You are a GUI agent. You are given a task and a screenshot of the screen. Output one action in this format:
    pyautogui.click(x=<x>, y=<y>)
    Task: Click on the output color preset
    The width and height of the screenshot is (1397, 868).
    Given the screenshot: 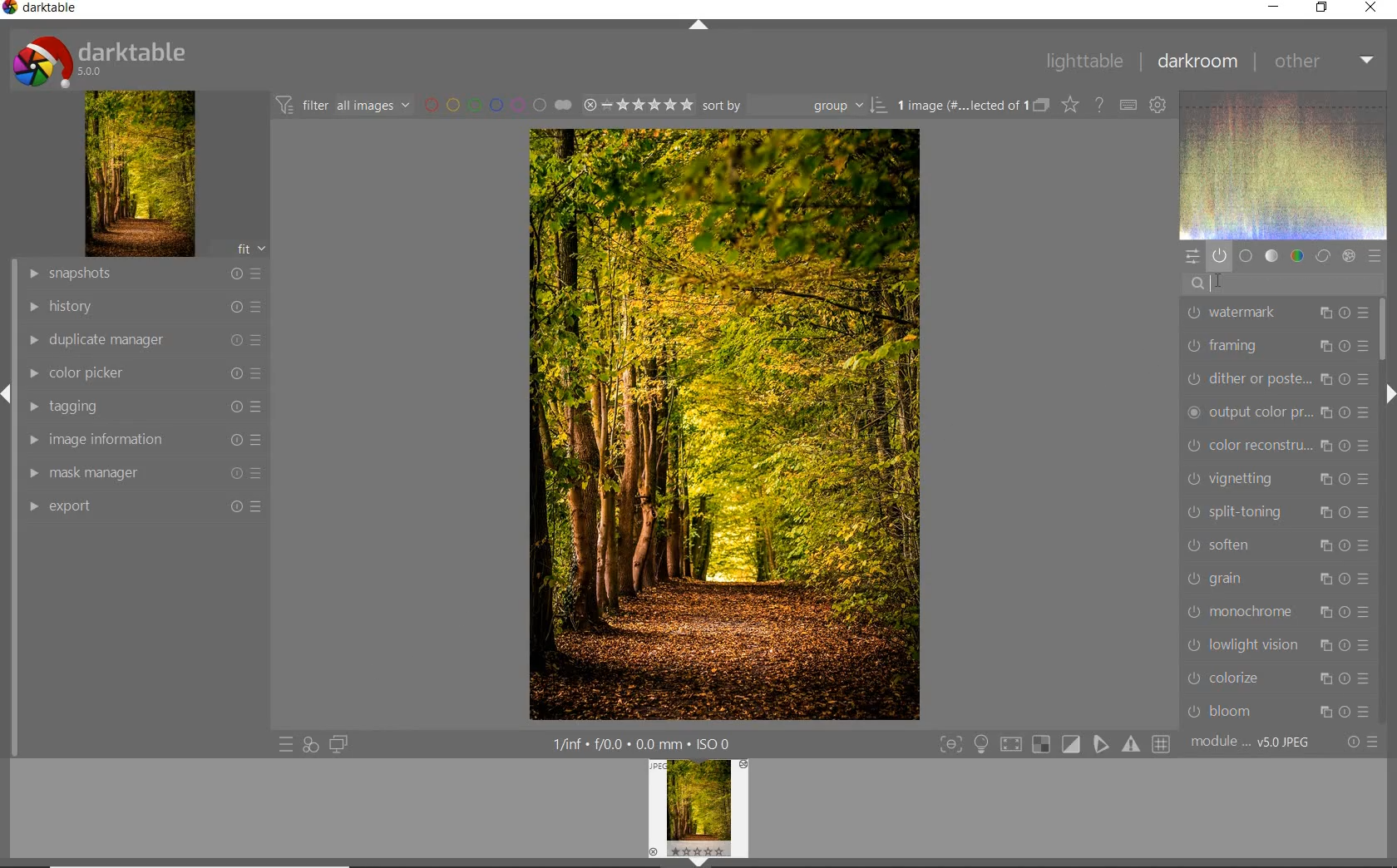 What is the action you would take?
    pyautogui.click(x=1277, y=413)
    